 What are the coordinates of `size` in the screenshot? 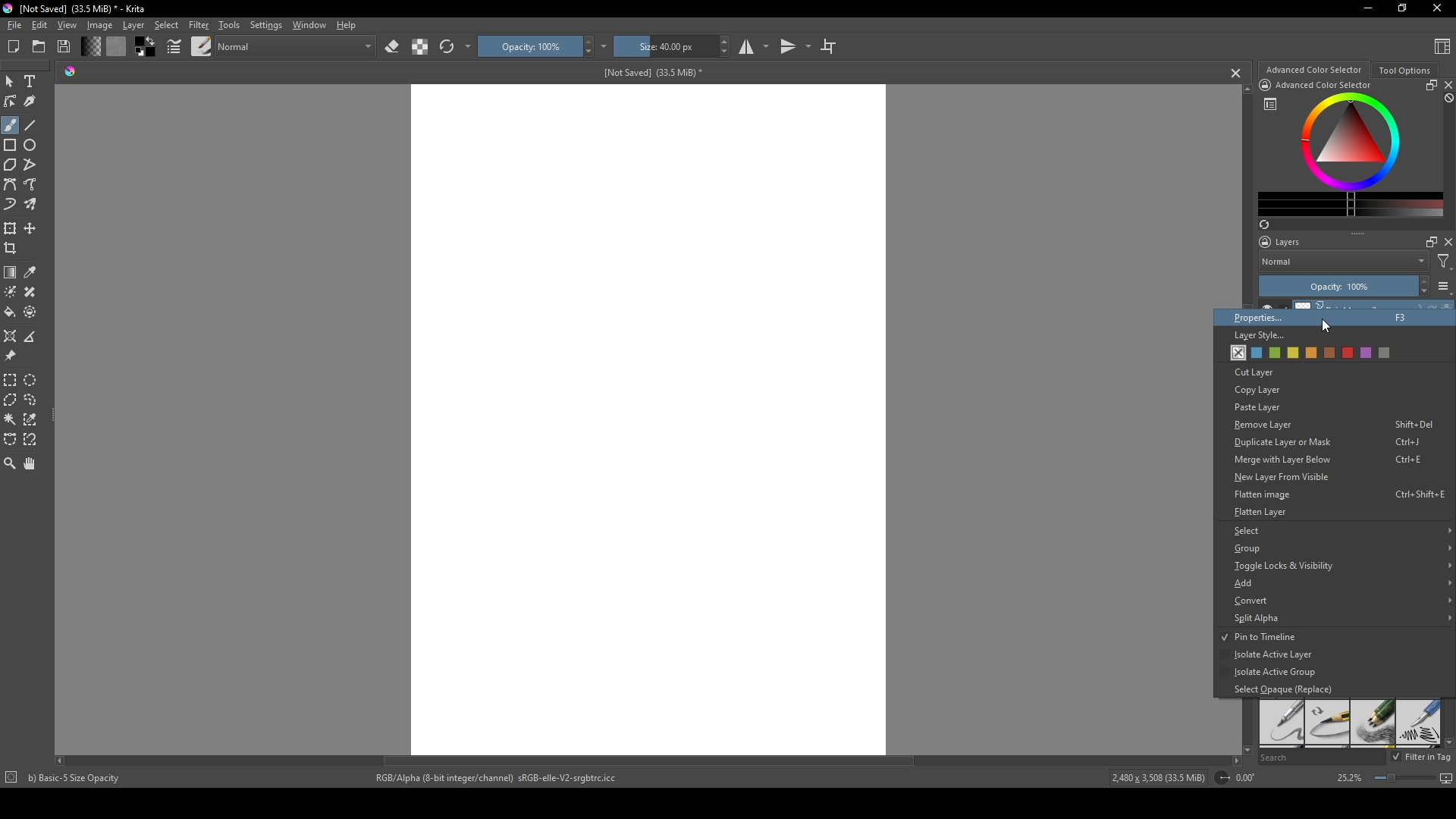 It's located at (664, 46).